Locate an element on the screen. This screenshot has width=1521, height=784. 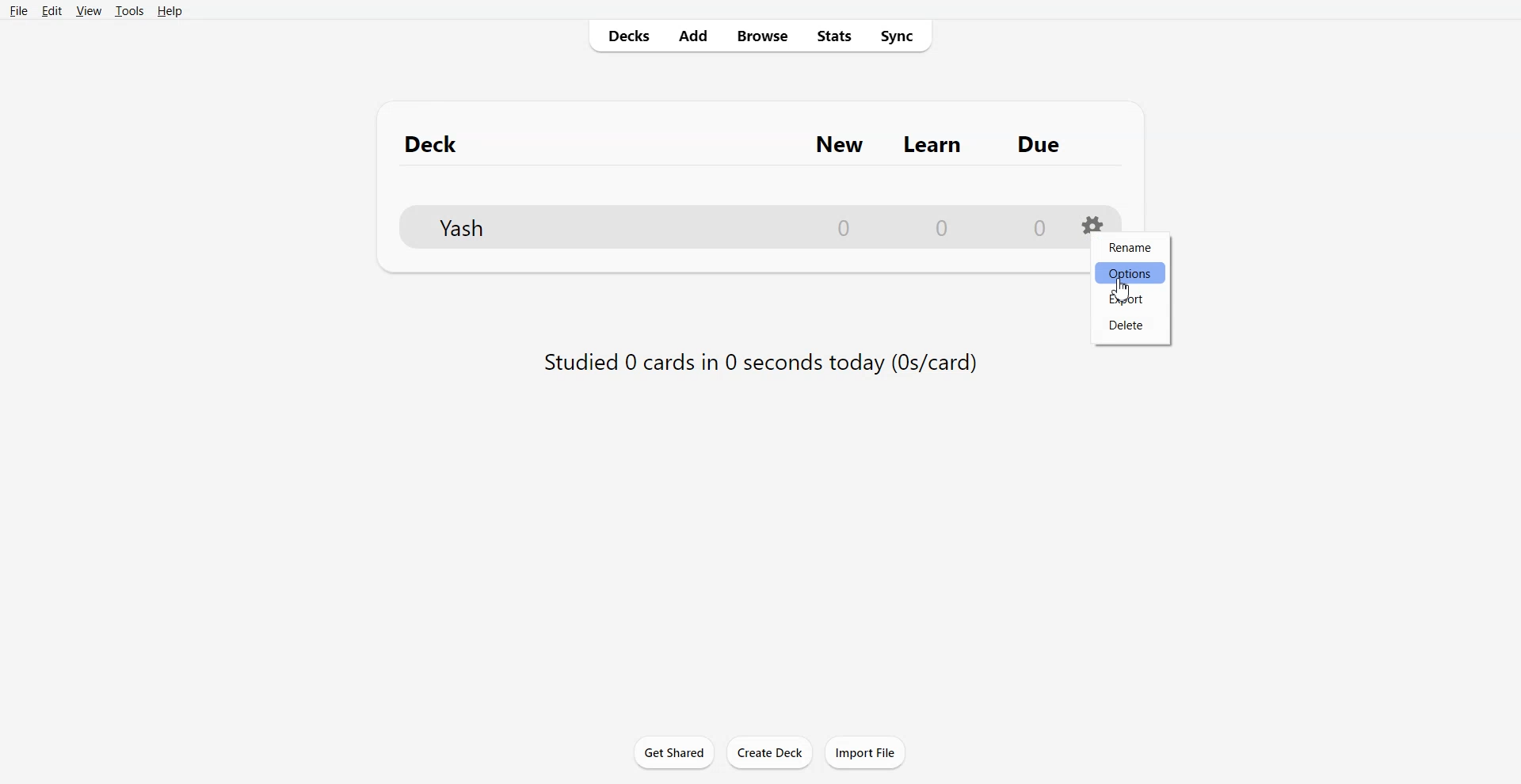
Delete is located at coordinates (1129, 325).